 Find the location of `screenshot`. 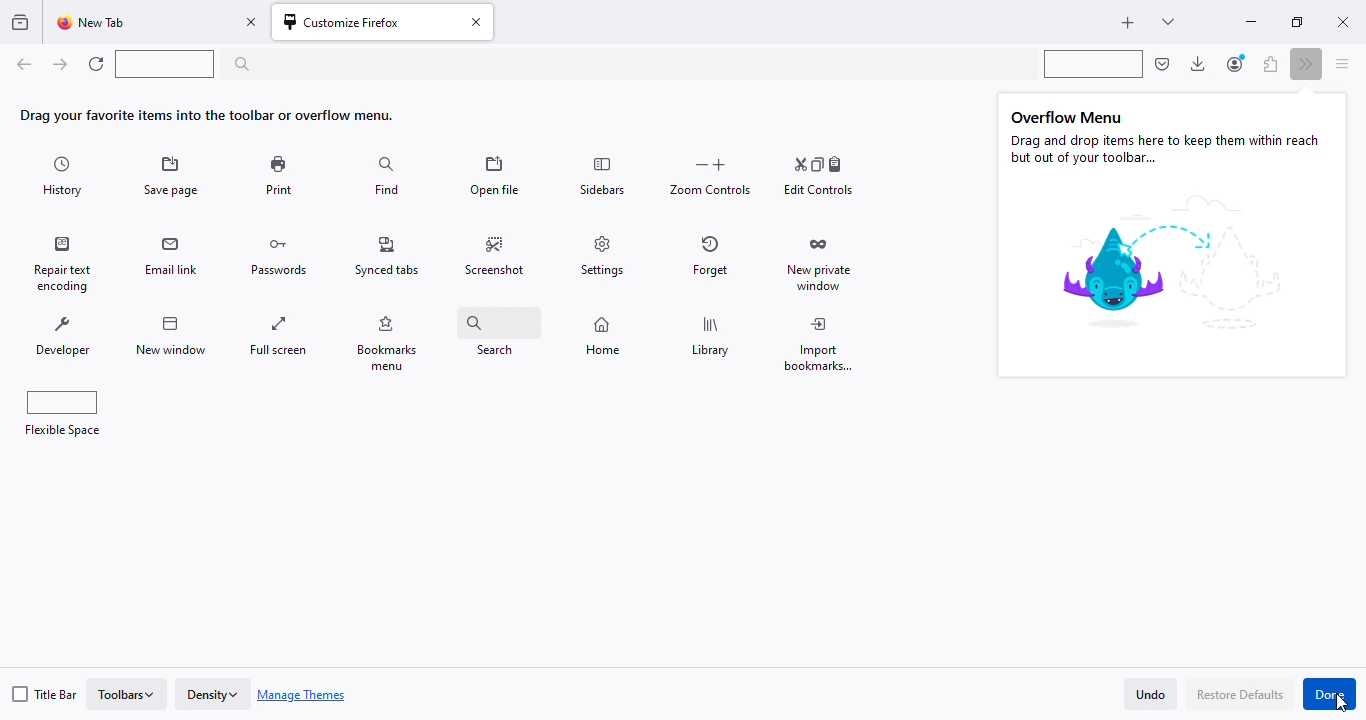

screenshot is located at coordinates (494, 257).